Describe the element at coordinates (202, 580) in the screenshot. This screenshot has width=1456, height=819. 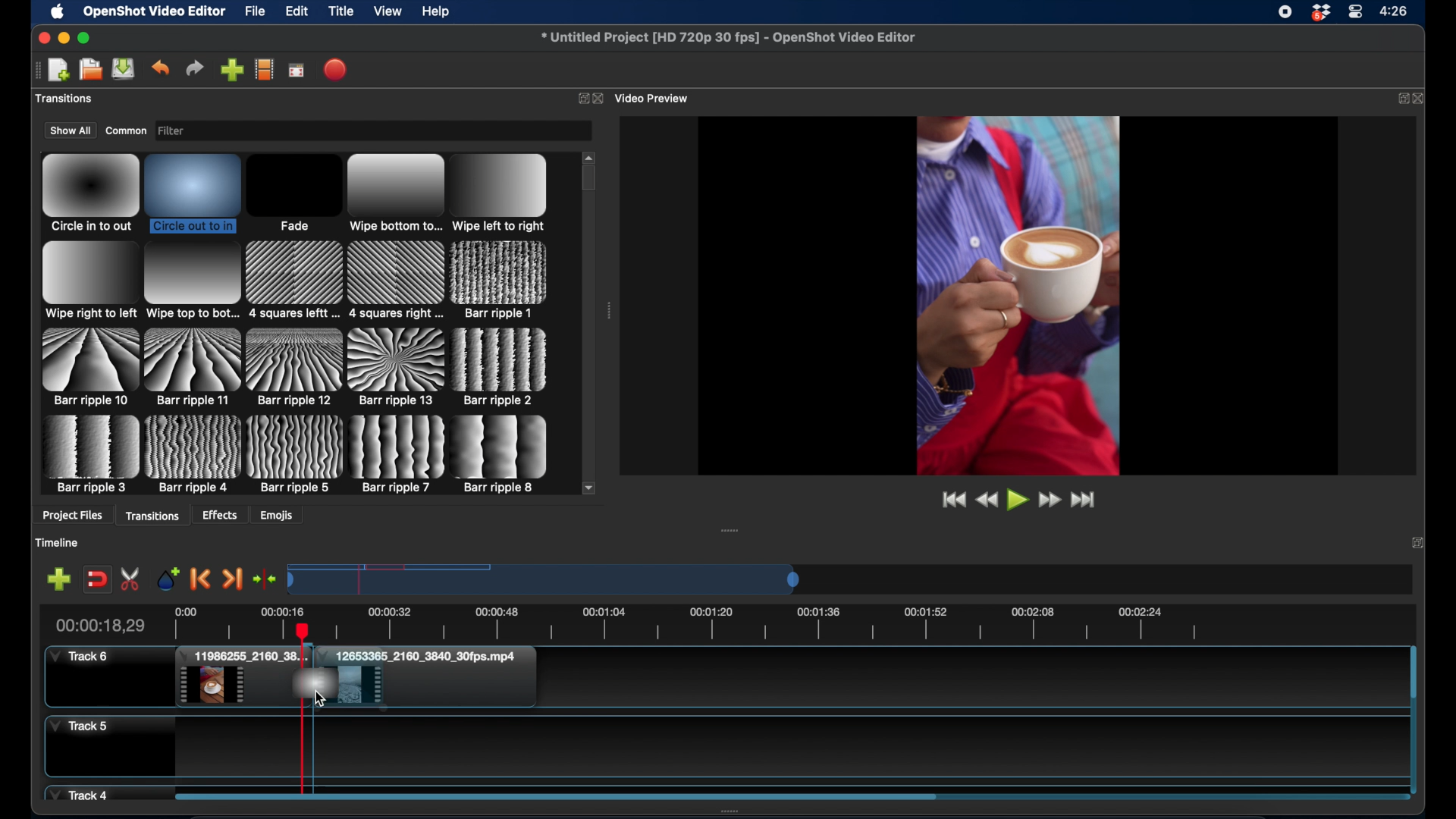
I see `previous marker` at that location.